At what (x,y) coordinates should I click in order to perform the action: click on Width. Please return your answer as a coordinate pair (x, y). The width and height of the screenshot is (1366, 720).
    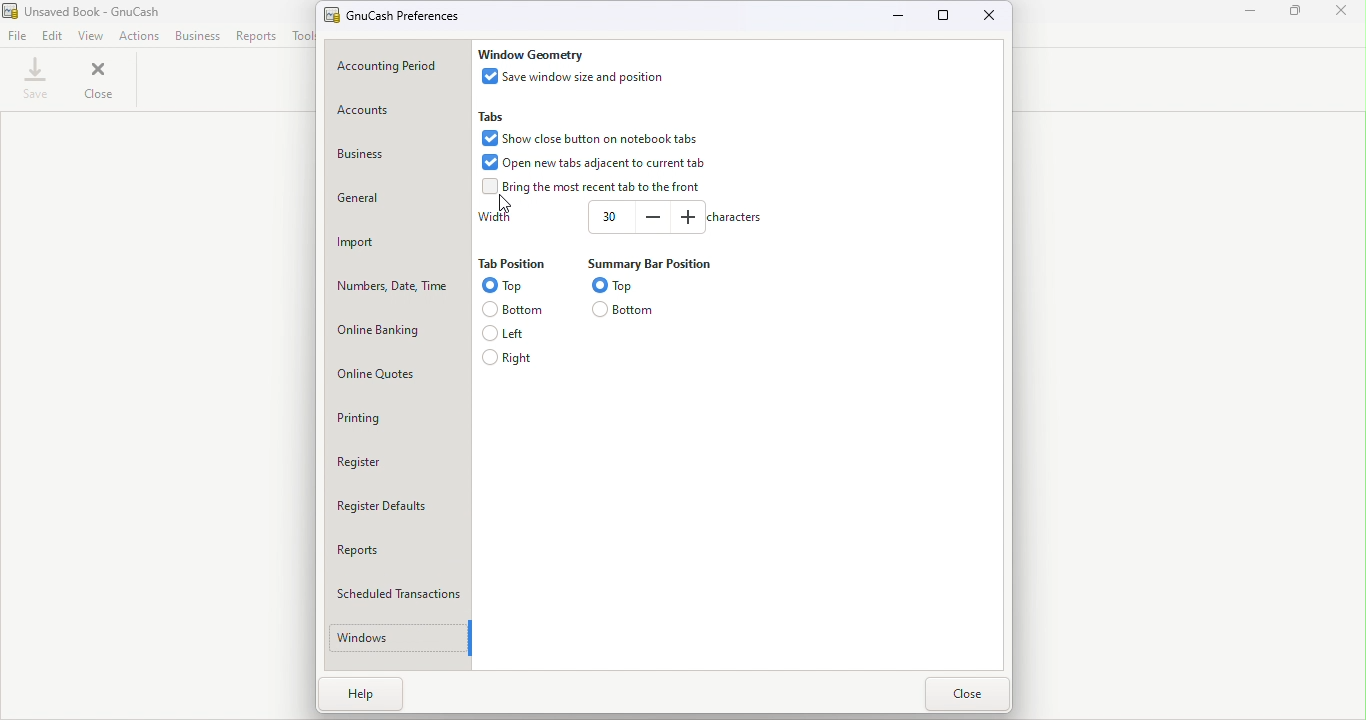
    Looking at the image, I should click on (608, 216).